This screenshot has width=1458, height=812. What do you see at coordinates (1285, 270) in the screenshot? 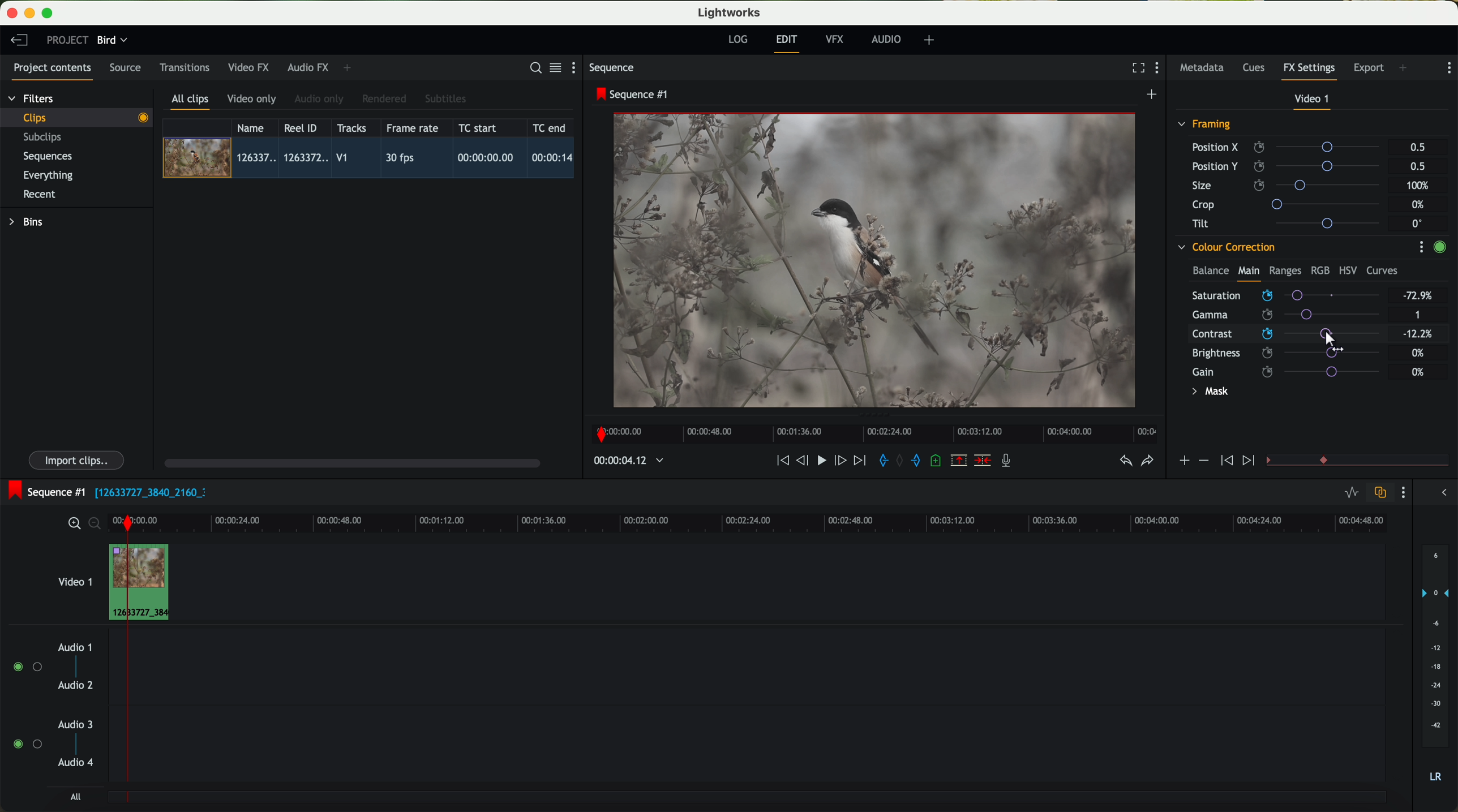
I see `ranges` at bounding box center [1285, 270].